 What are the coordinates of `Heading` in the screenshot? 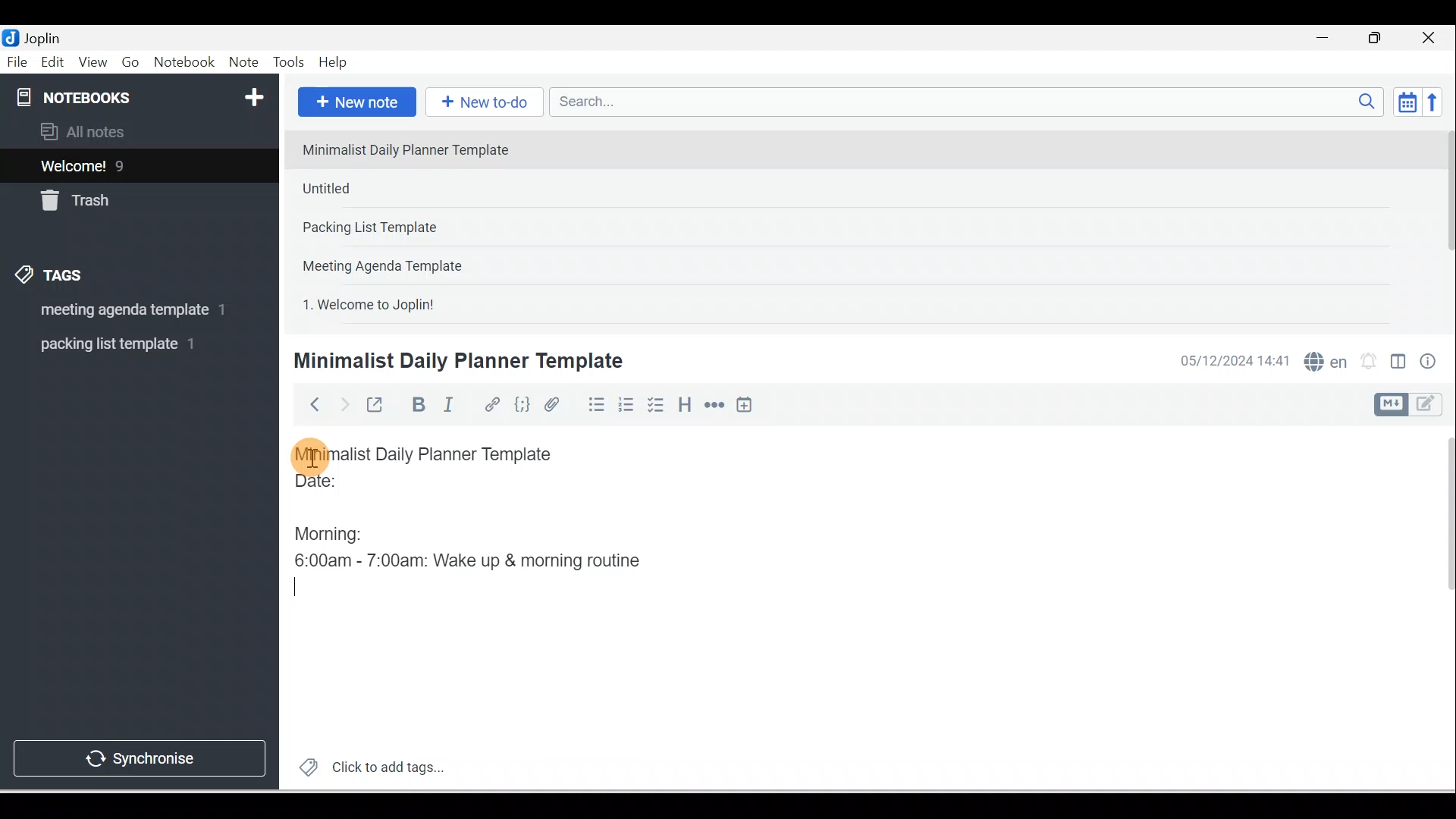 It's located at (684, 403).